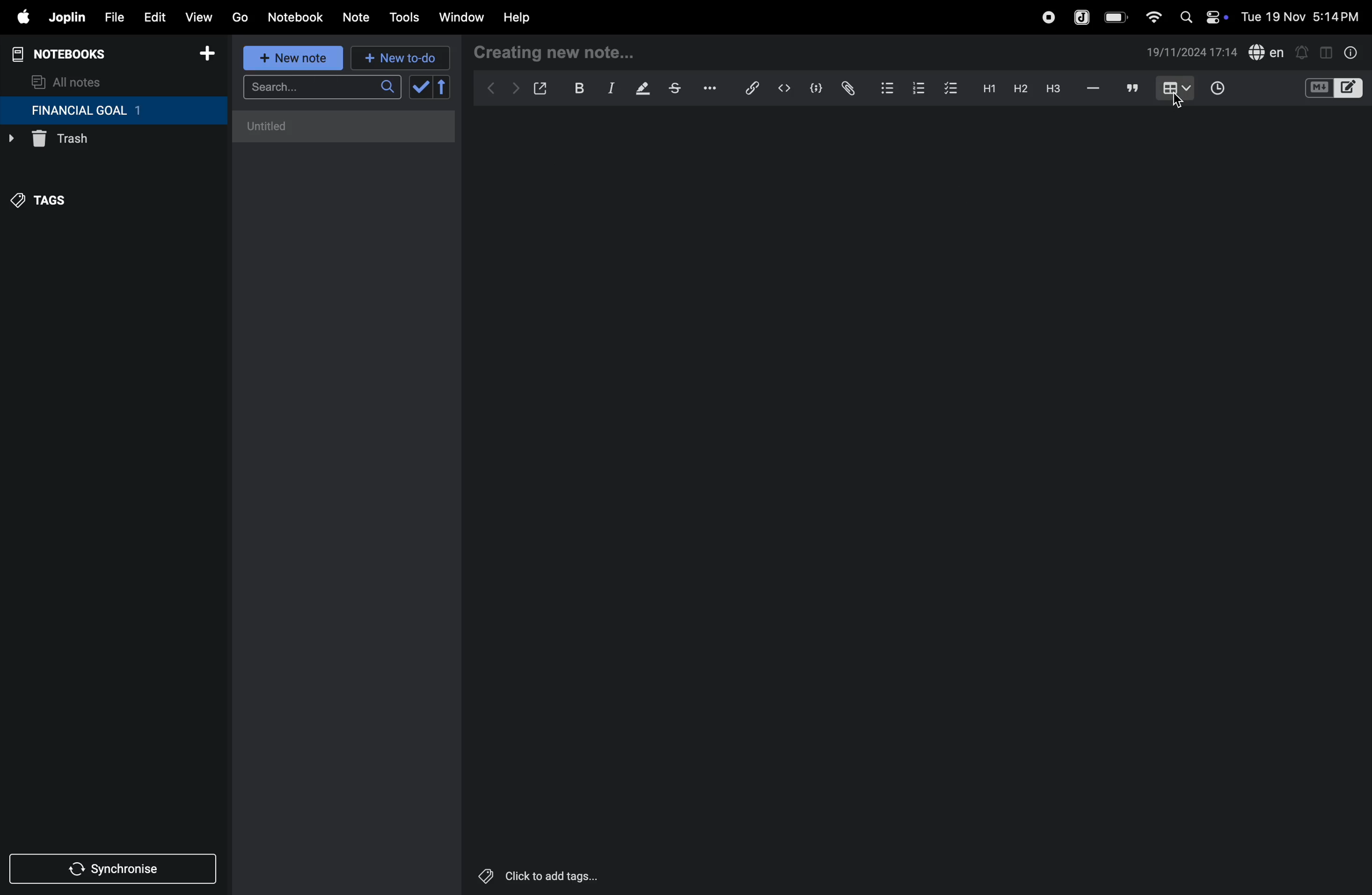  What do you see at coordinates (1352, 52) in the screenshot?
I see `info` at bounding box center [1352, 52].